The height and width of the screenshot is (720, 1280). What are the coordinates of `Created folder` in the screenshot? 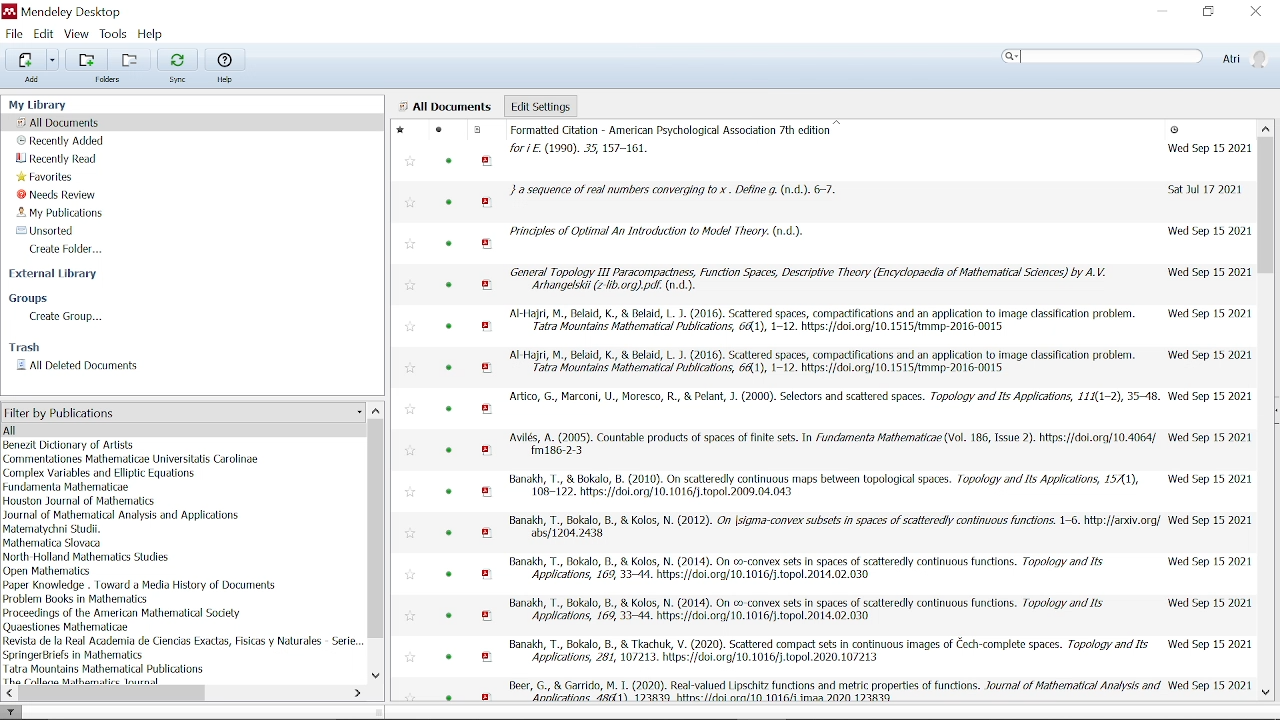 It's located at (72, 249).